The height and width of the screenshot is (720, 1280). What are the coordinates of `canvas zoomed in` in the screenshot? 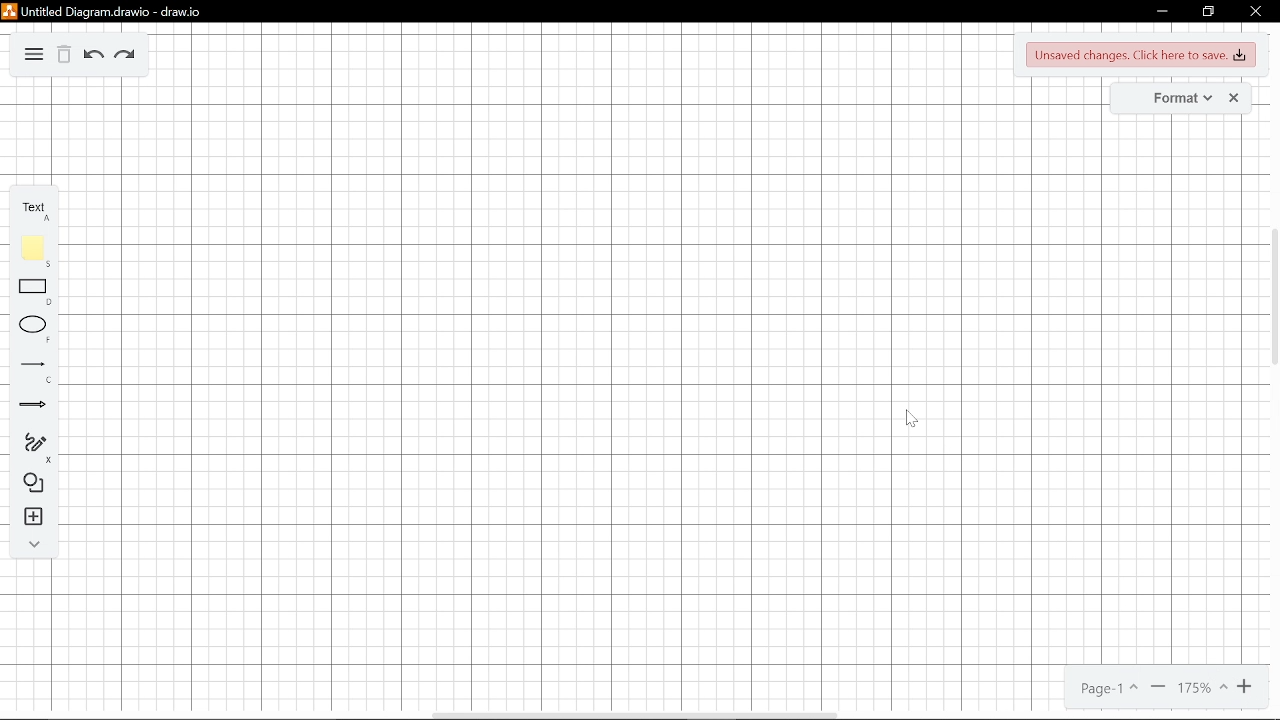 It's located at (581, 371).